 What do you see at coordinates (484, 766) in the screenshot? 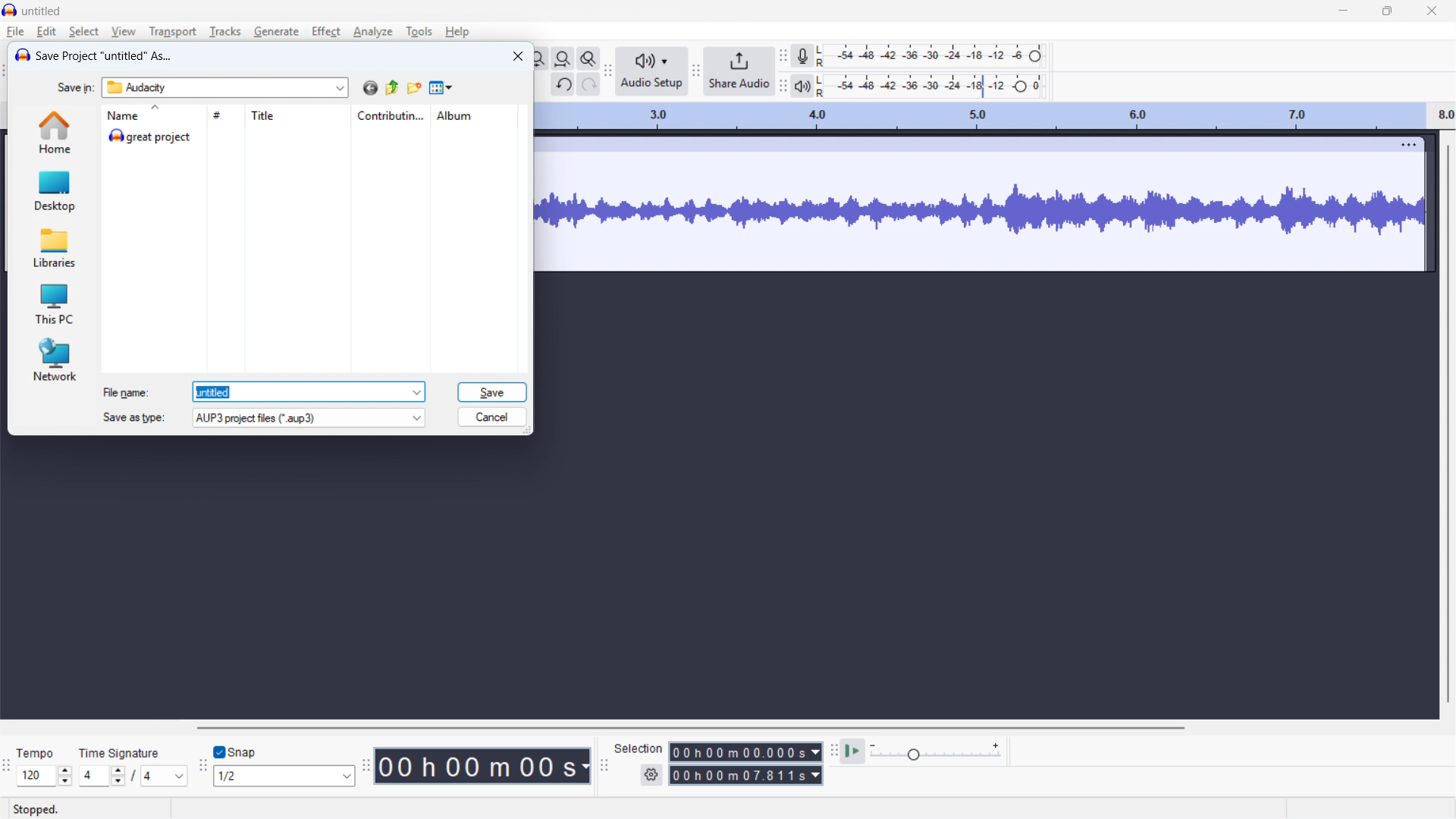
I see `timestamp` at bounding box center [484, 766].